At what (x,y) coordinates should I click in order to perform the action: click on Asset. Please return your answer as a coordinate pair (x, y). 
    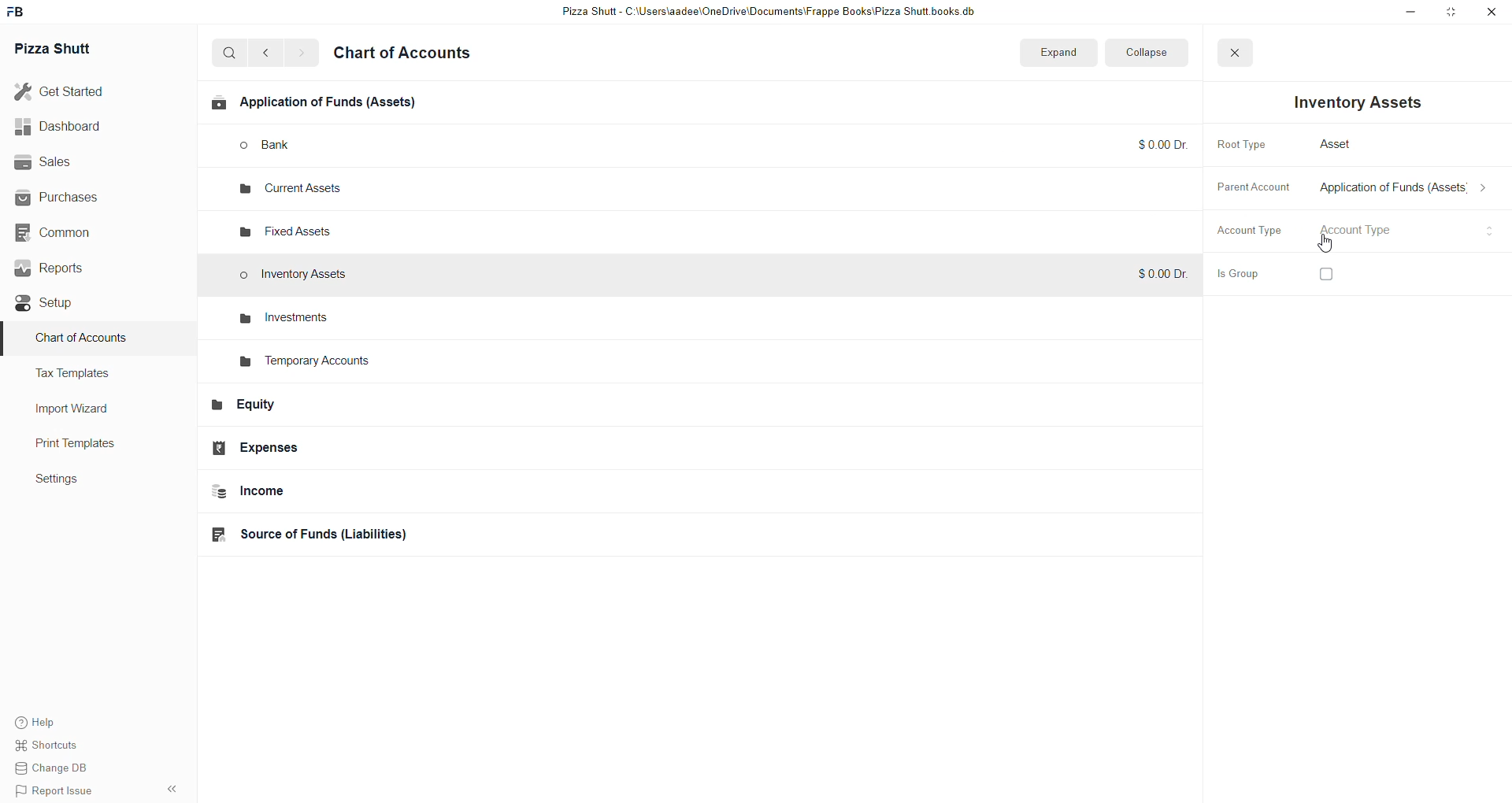
    Looking at the image, I should click on (1329, 142).